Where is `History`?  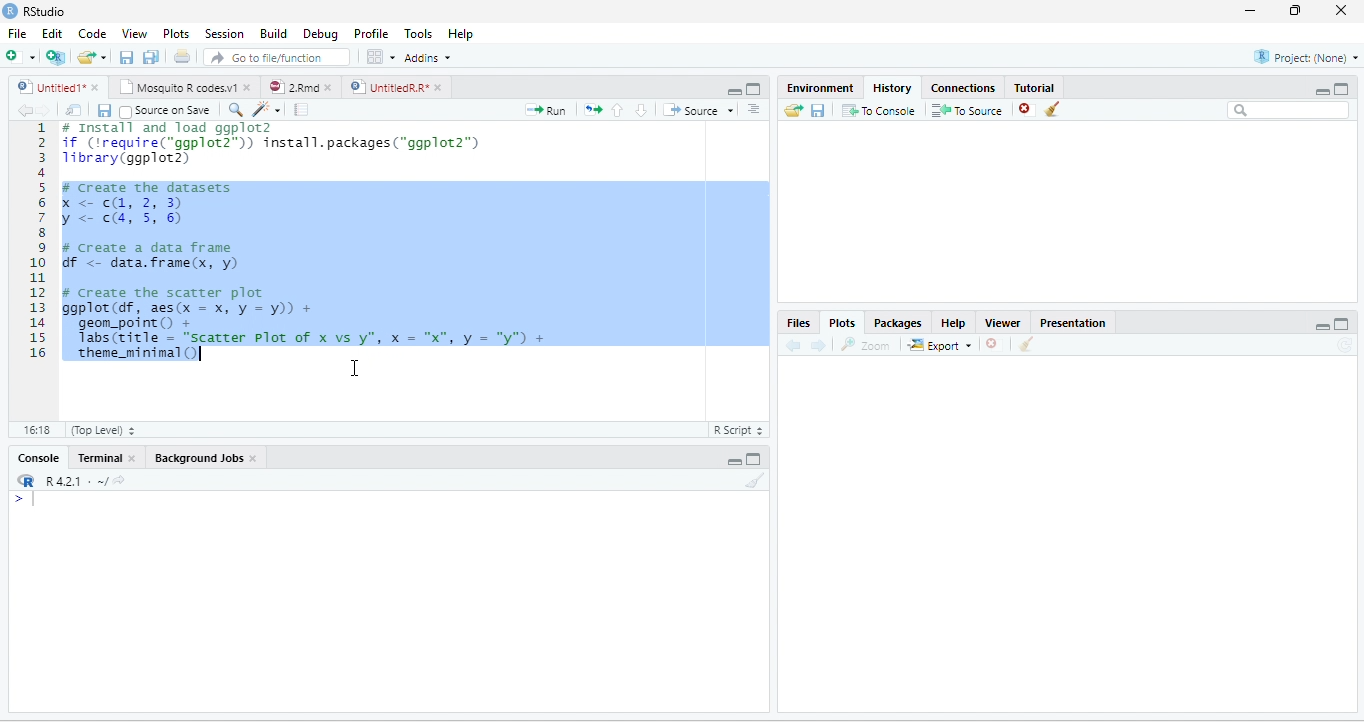 History is located at coordinates (891, 88).